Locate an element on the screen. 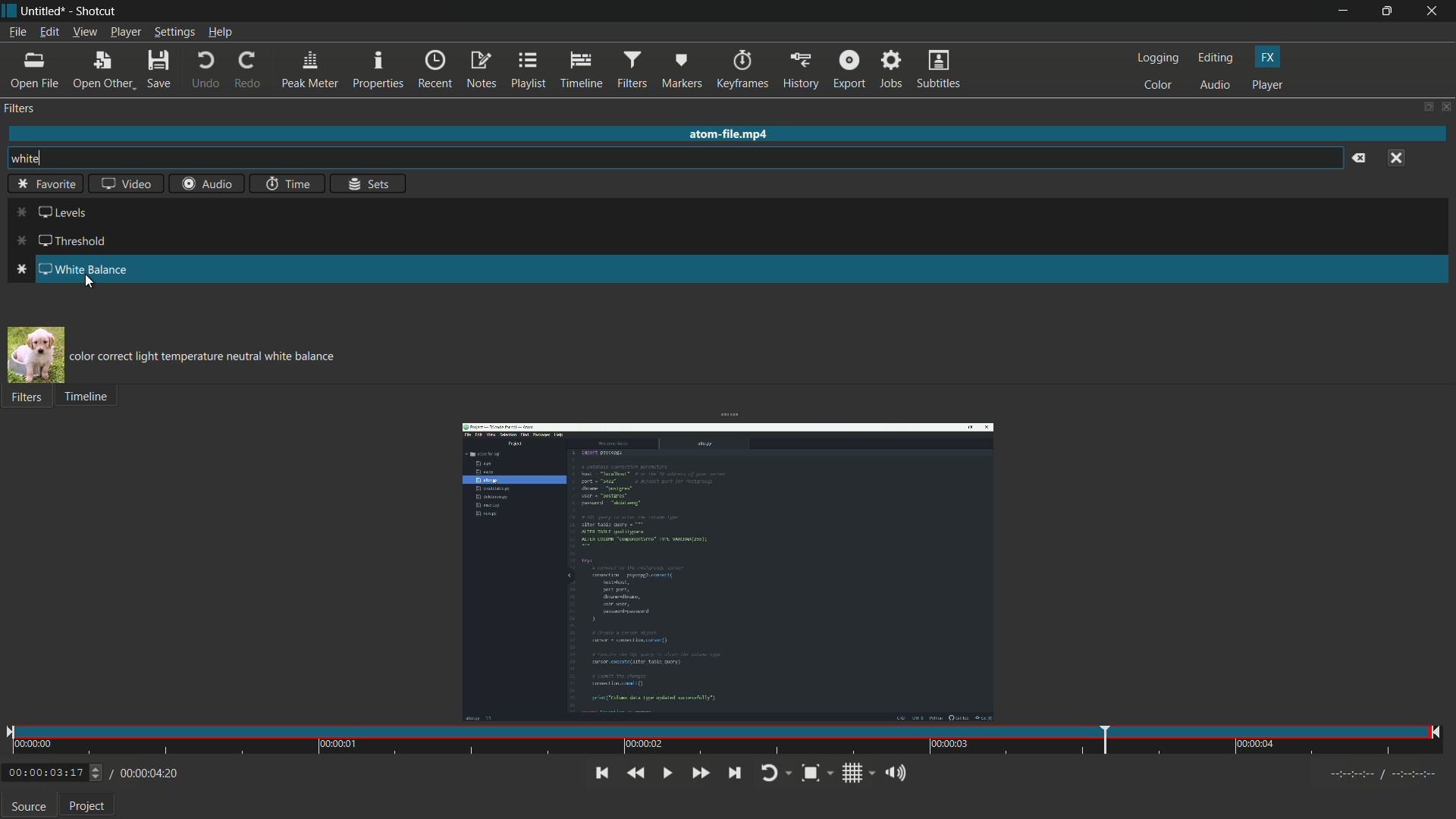 Image resolution: width=1456 pixels, height=819 pixels. source is located at coordinates (29, 808).